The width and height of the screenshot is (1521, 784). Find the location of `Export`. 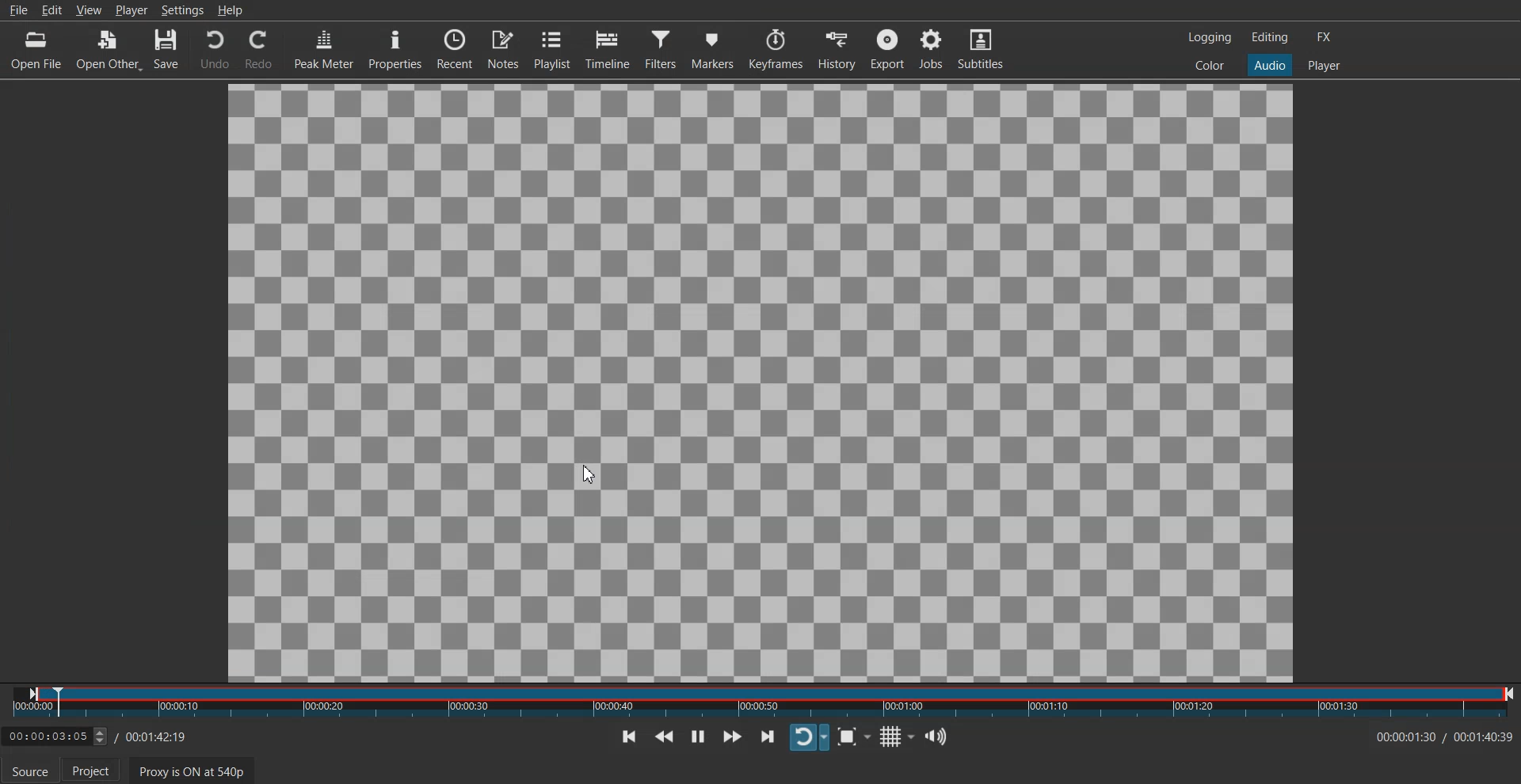

Export is located at coordinates (889, 48).